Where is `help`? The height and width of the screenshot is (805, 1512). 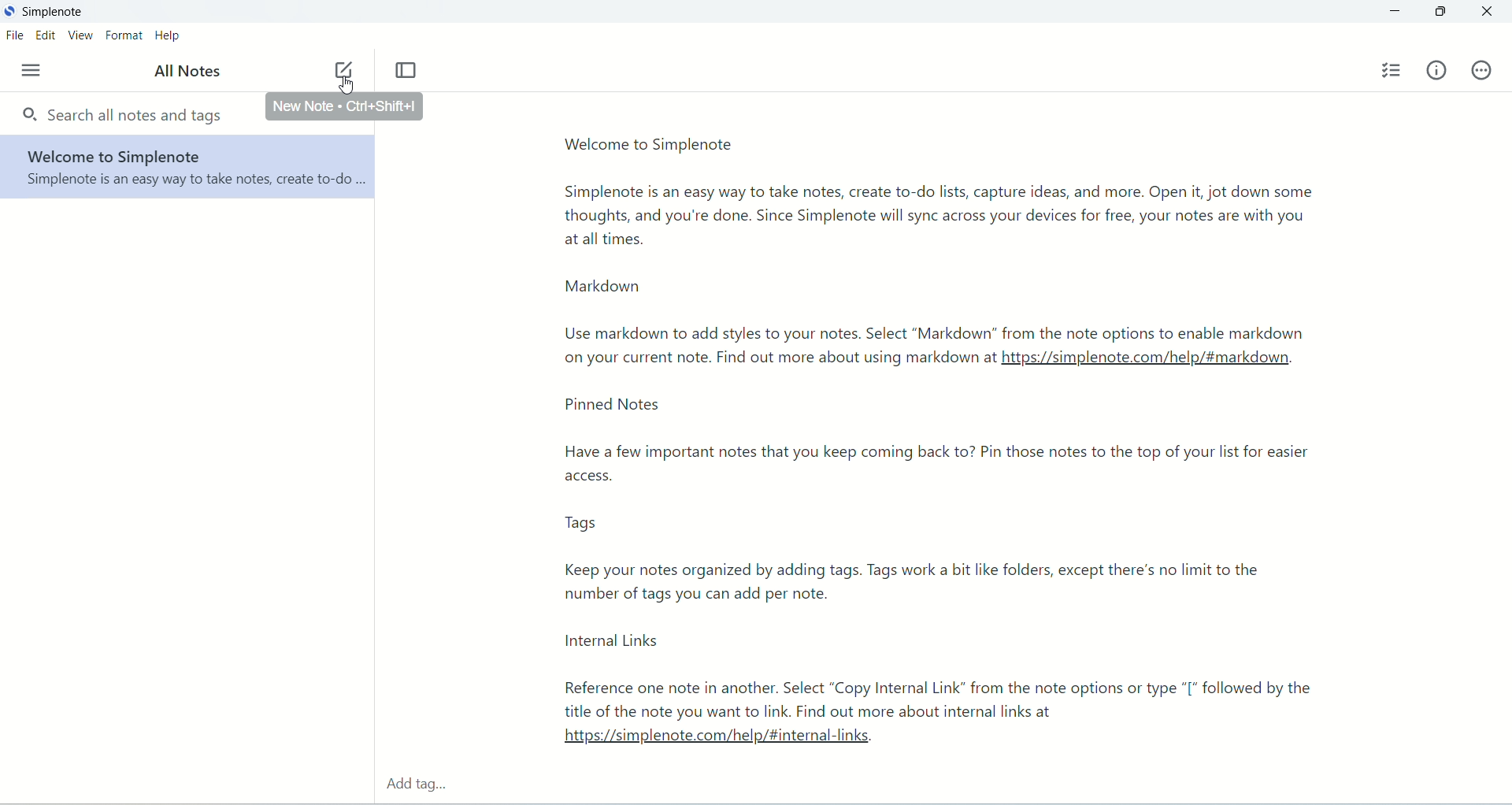 help is located at coordinates (166, 35).